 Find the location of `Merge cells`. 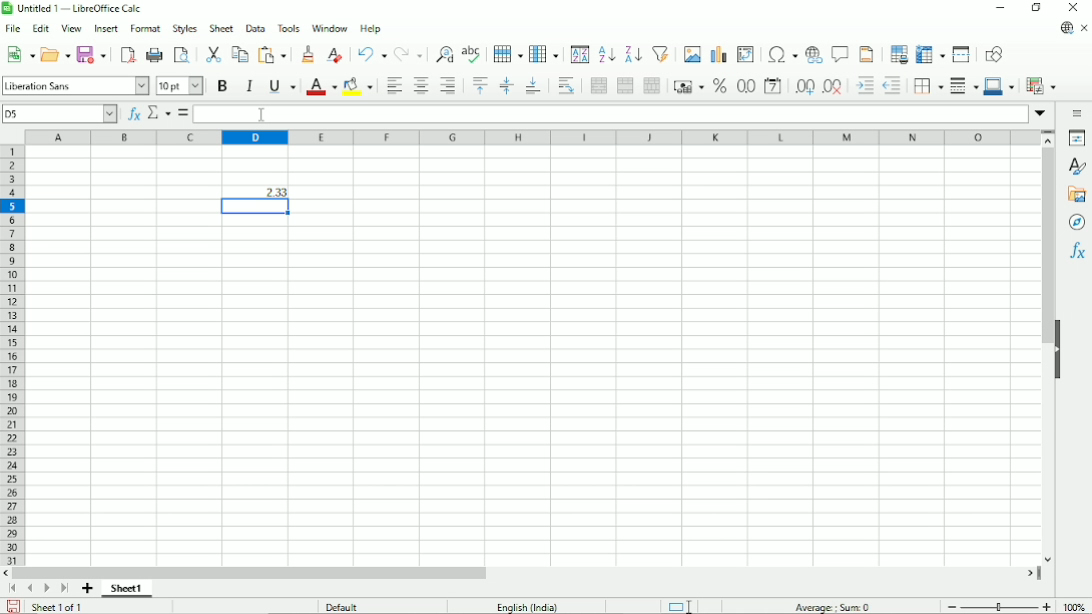

Merge cells is located at coordinates (625, 86).